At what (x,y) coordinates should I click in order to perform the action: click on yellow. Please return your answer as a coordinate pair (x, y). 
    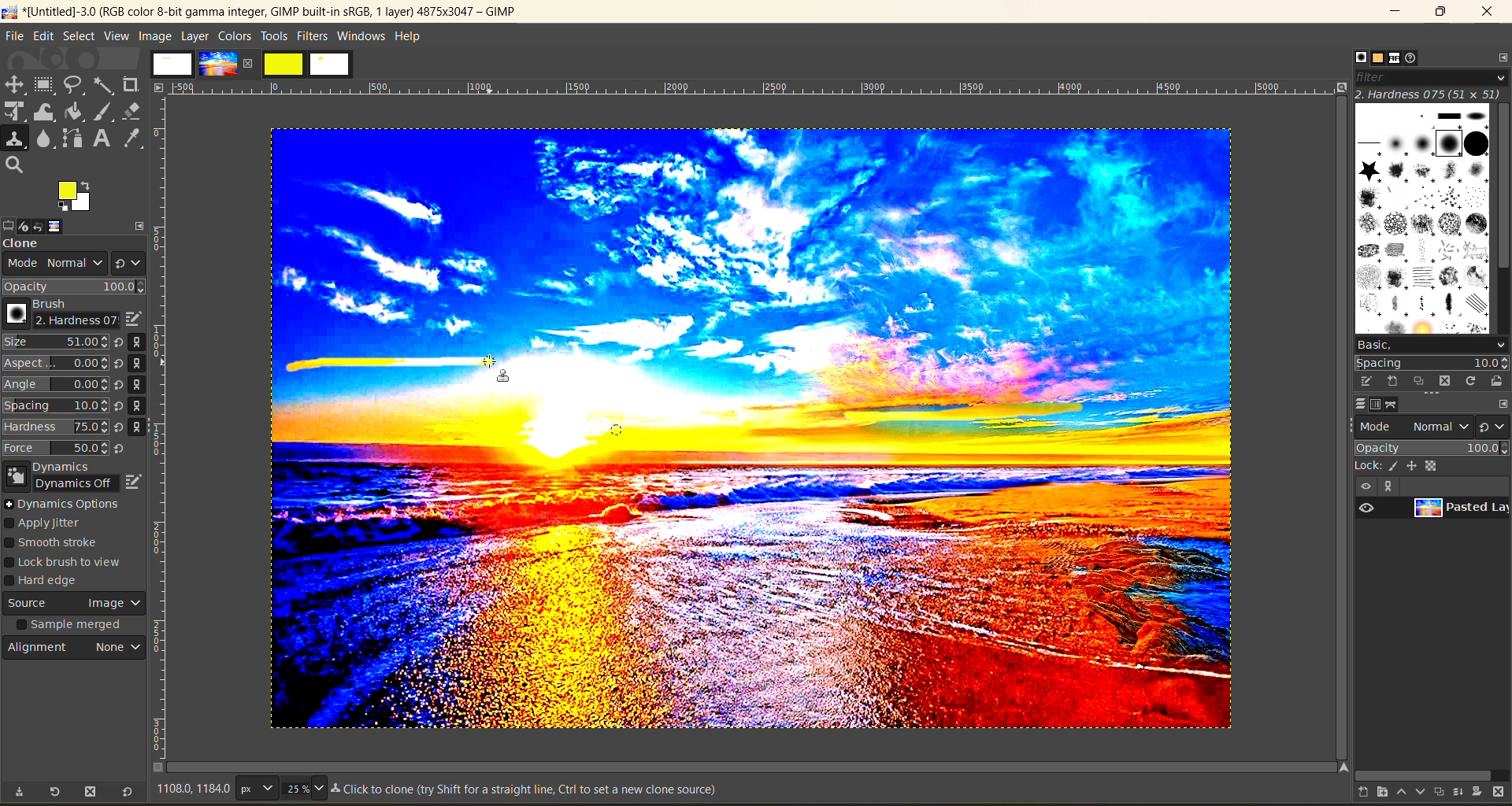
    Looking at the image, I should click on (284, 64).